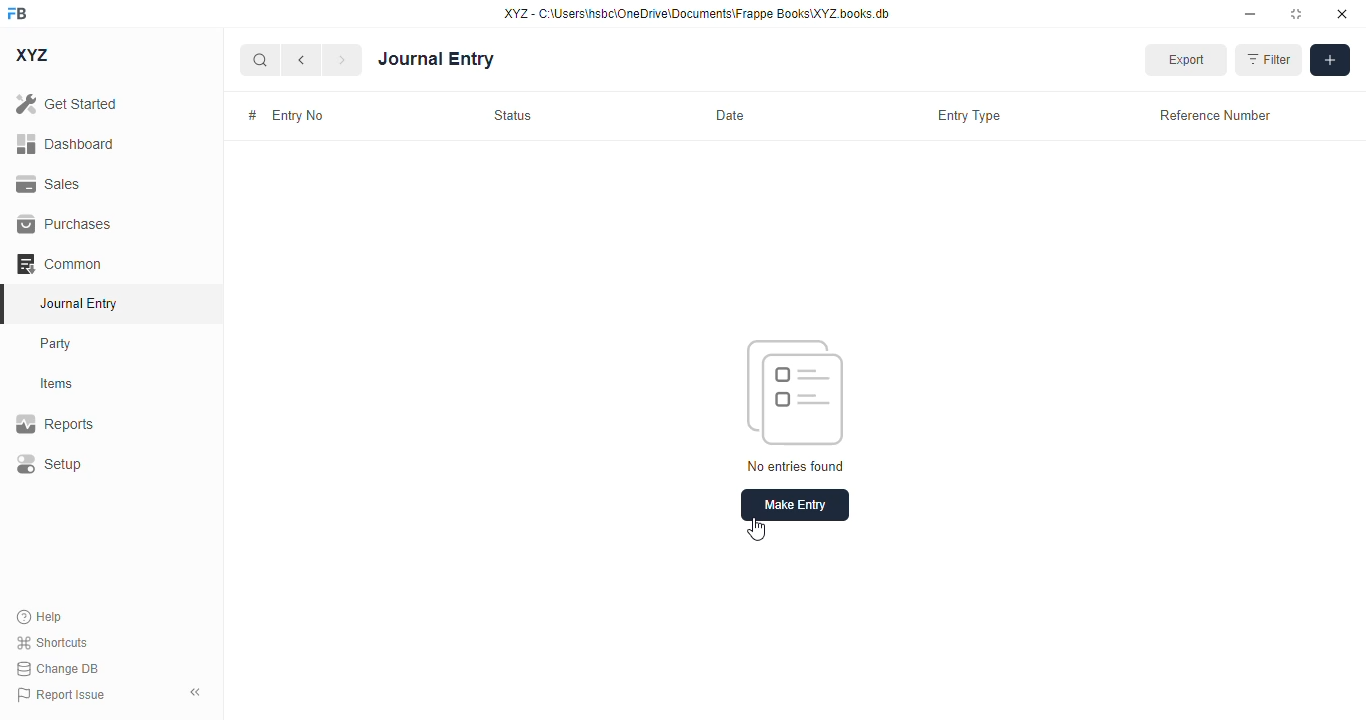 This screenshot has width=1366, height=720. Describe the element at coordinates (1214, 116) in the screenshot. I see `reference number` at that location.